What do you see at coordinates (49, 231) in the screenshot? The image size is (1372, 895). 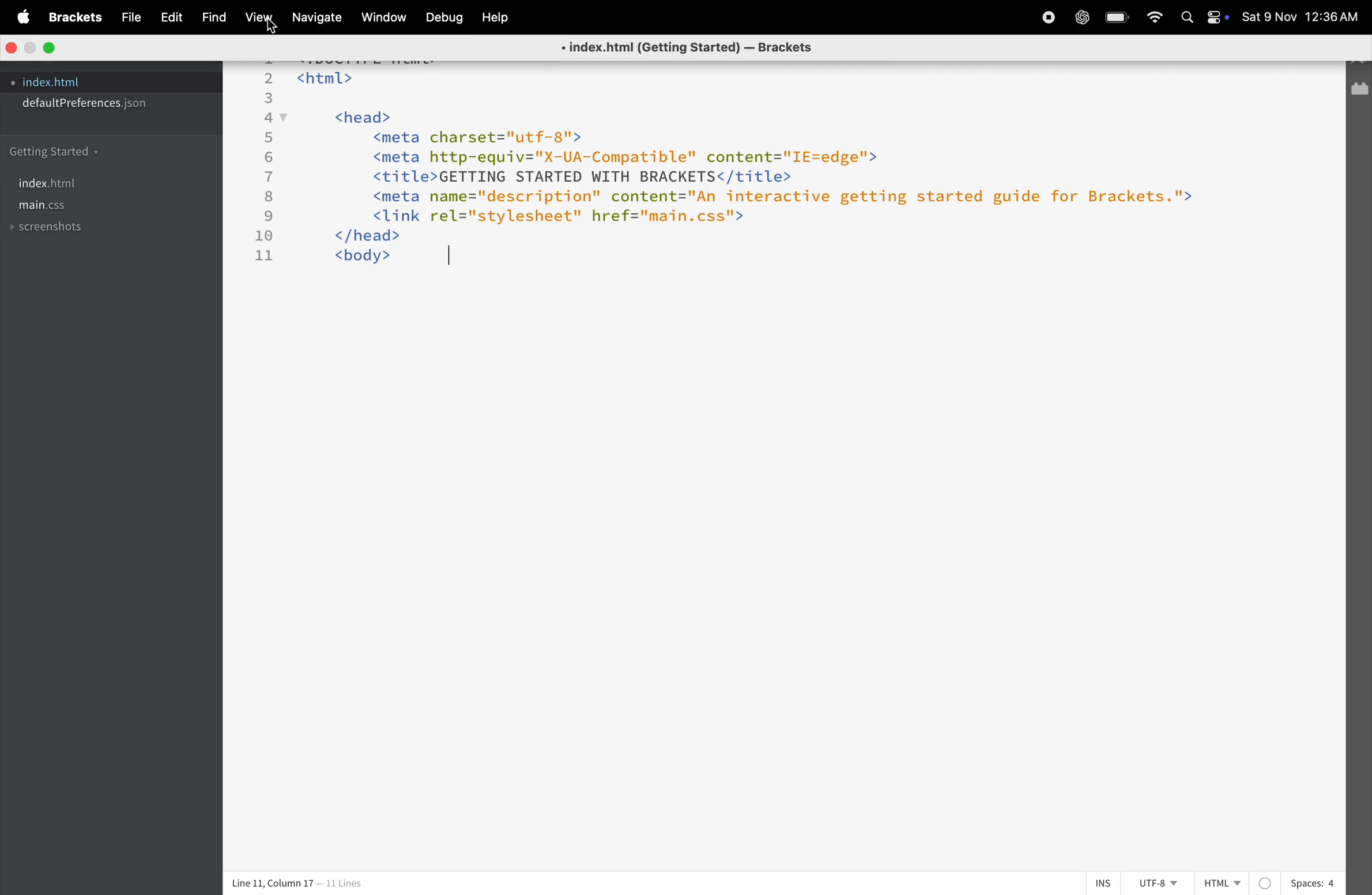 I see `screenshots` at bounding box center [49, 231].